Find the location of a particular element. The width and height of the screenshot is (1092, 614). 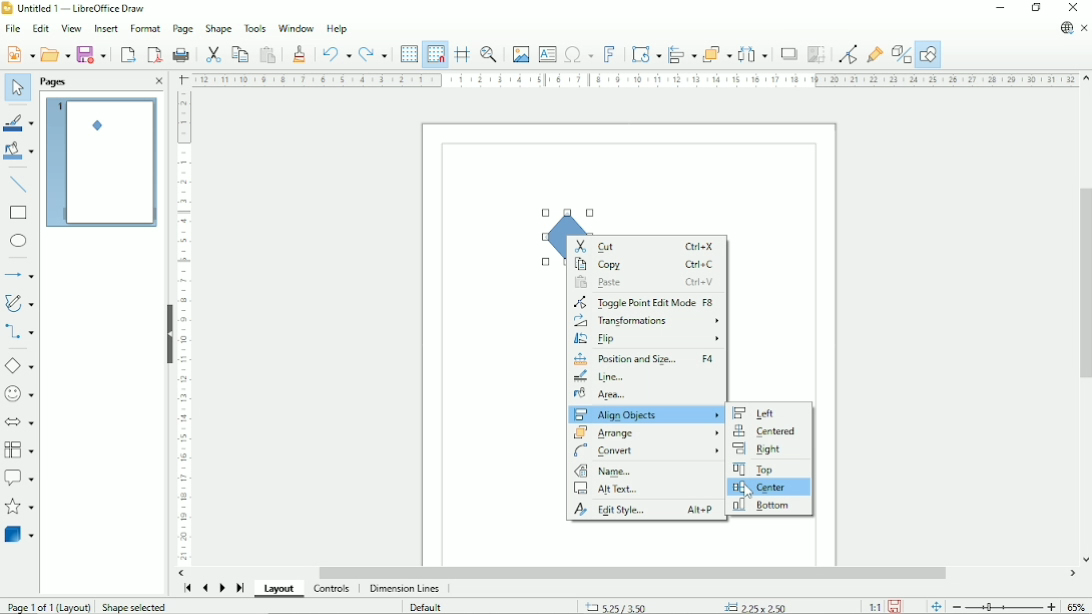

Vertical scale is located at coordinates (183, 326).